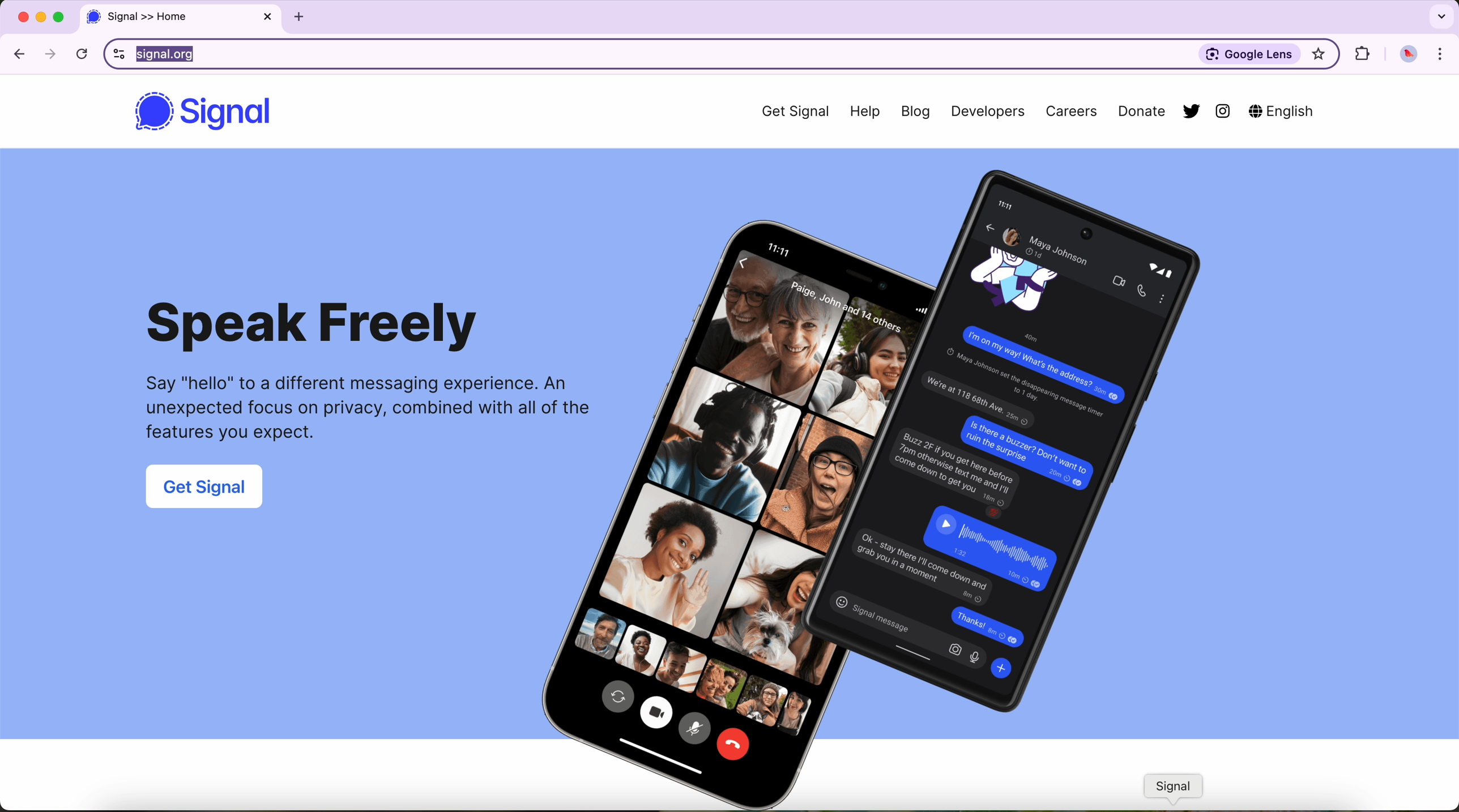  Describe the element at coordinates (207, 489) in the screenshot. I see `Get Signal ` at that location.